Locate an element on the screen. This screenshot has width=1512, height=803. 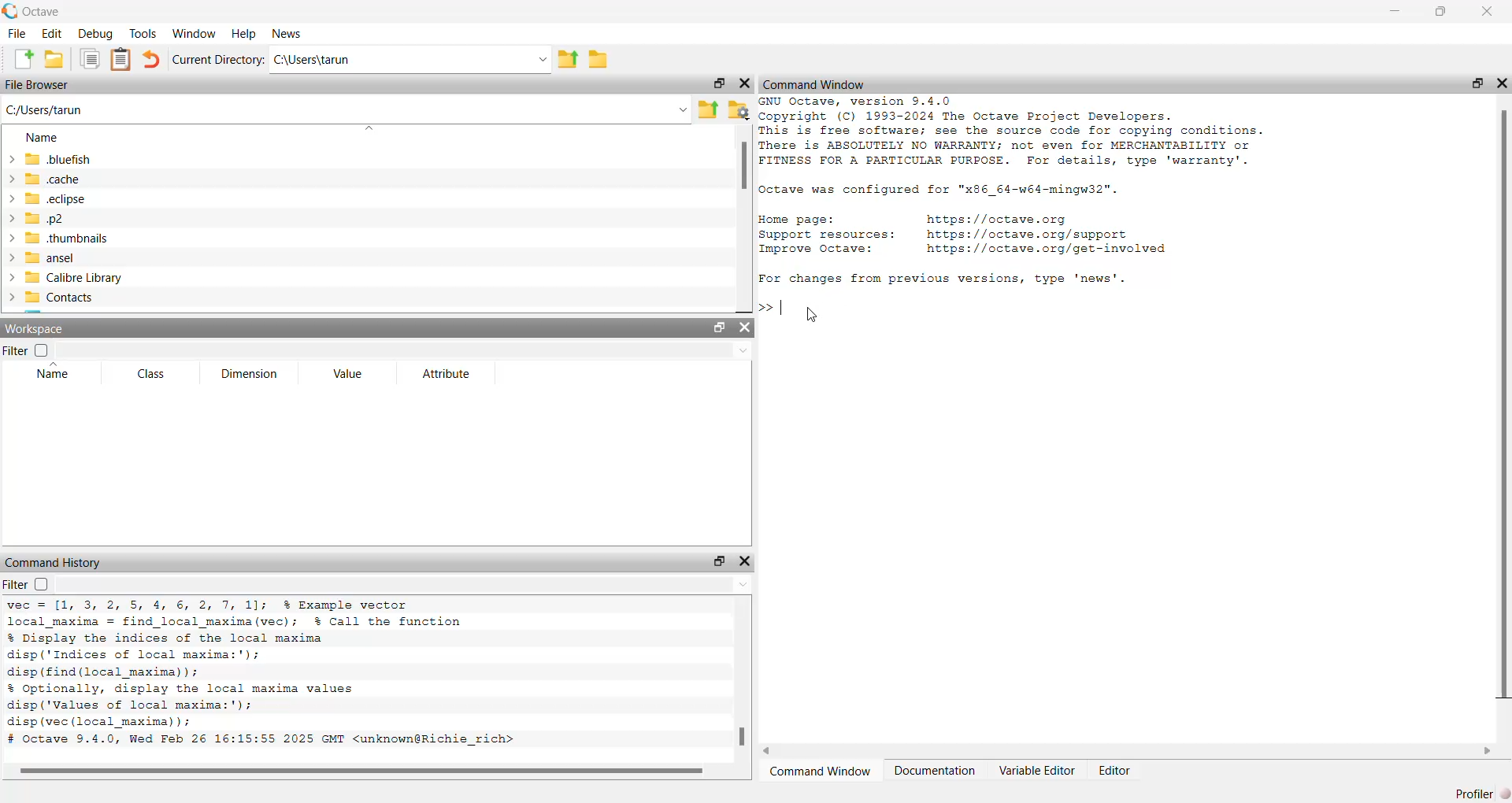
sort is located at coordinates (367, 128).